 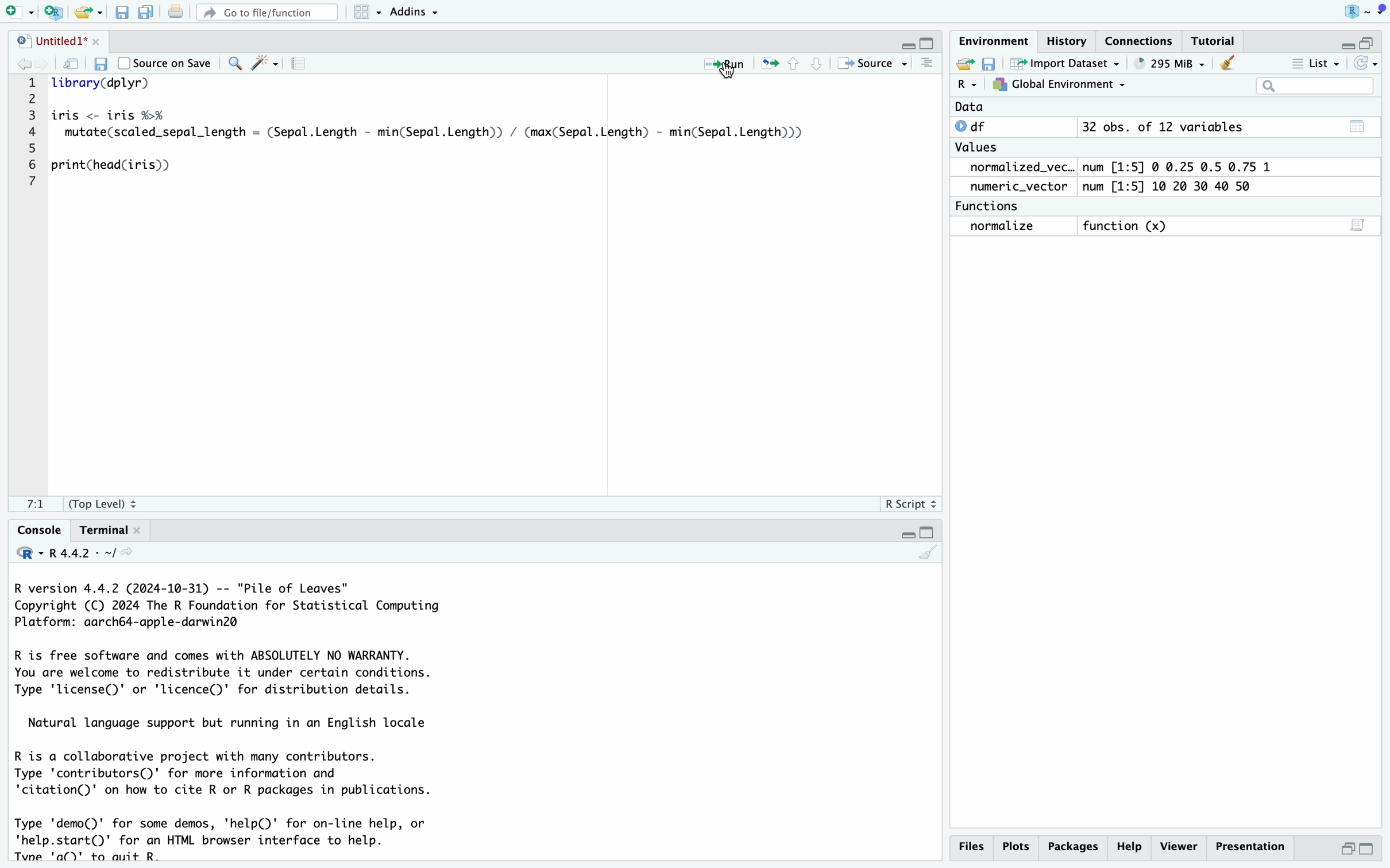 I want to click on normalized_vec, so click(x=1013, y=168).